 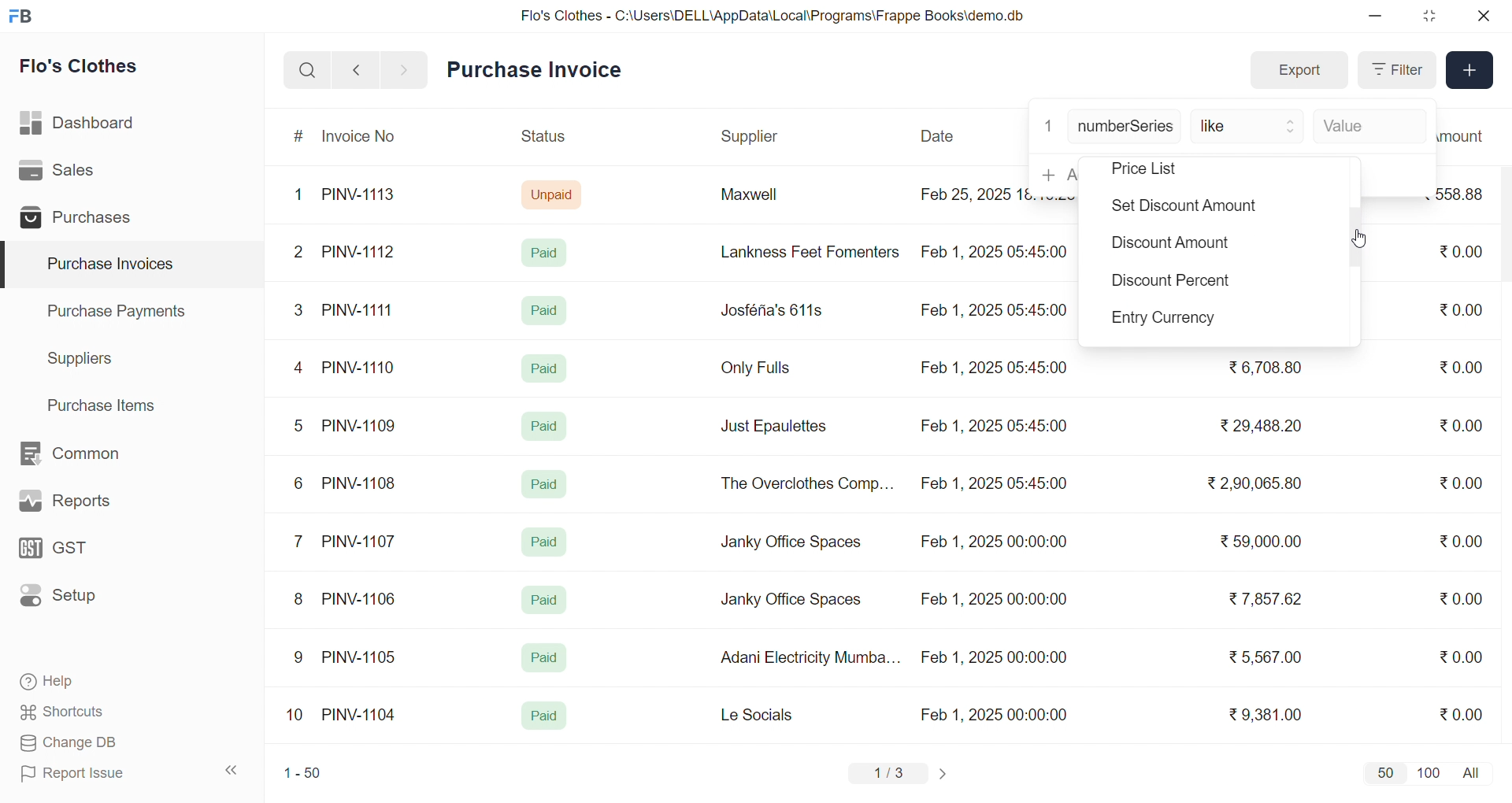 What do you see at coordinates (361, 425) in the screenshot?
I see `PINV-1109` at bounding box center [361, 425].